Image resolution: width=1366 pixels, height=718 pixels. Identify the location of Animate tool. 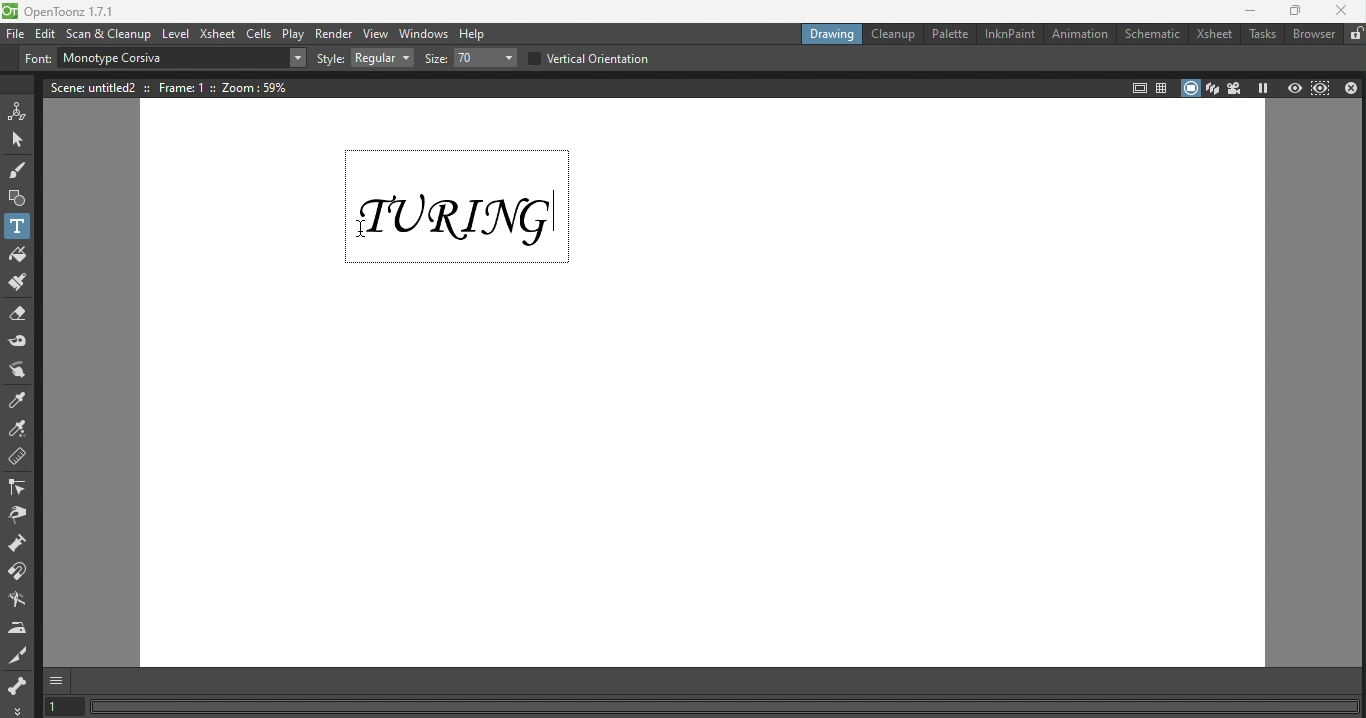
(18, 111).